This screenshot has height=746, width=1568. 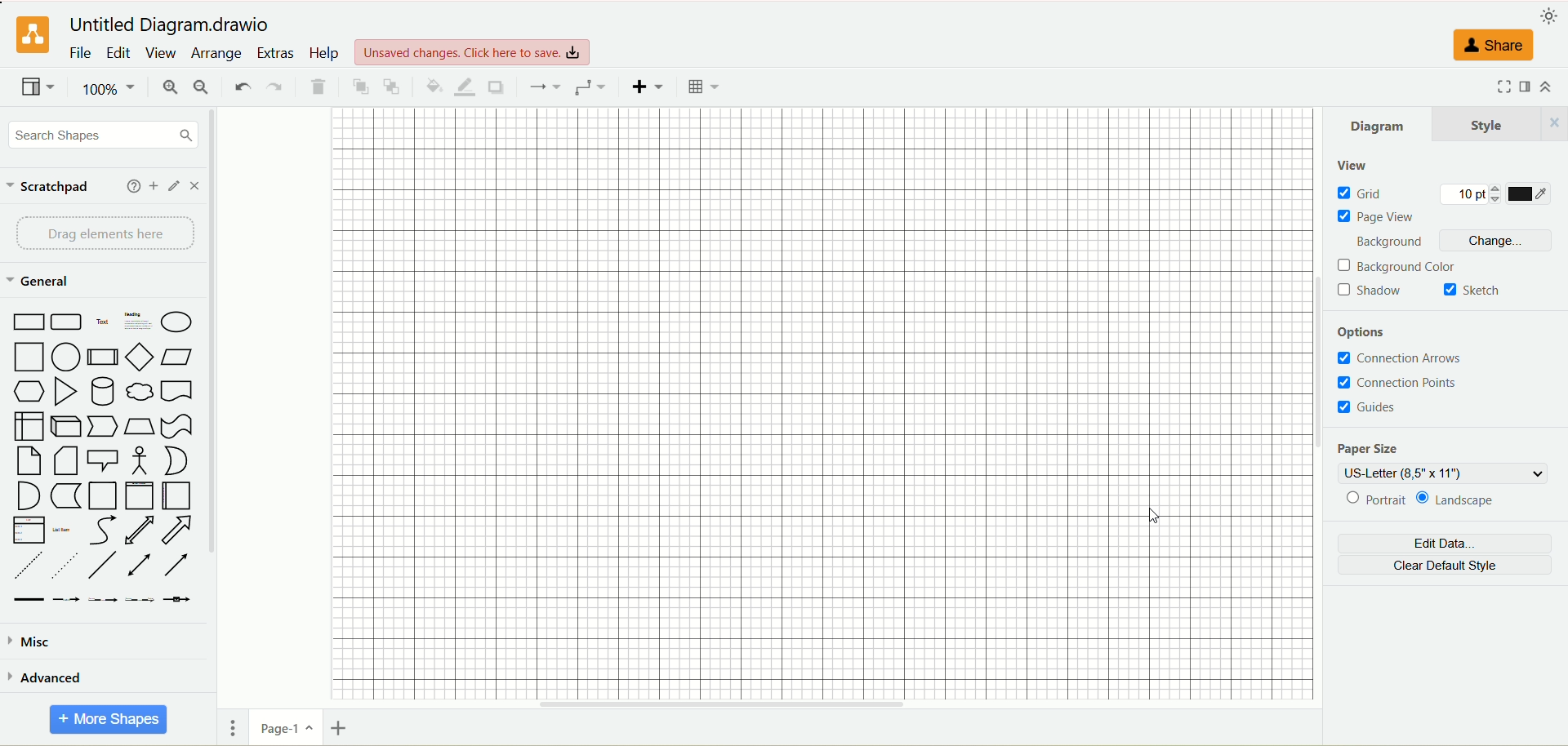 What do you see at coordinates (545, 87) in the screenshot?
I see `connection` at bounding box center [545, 87].